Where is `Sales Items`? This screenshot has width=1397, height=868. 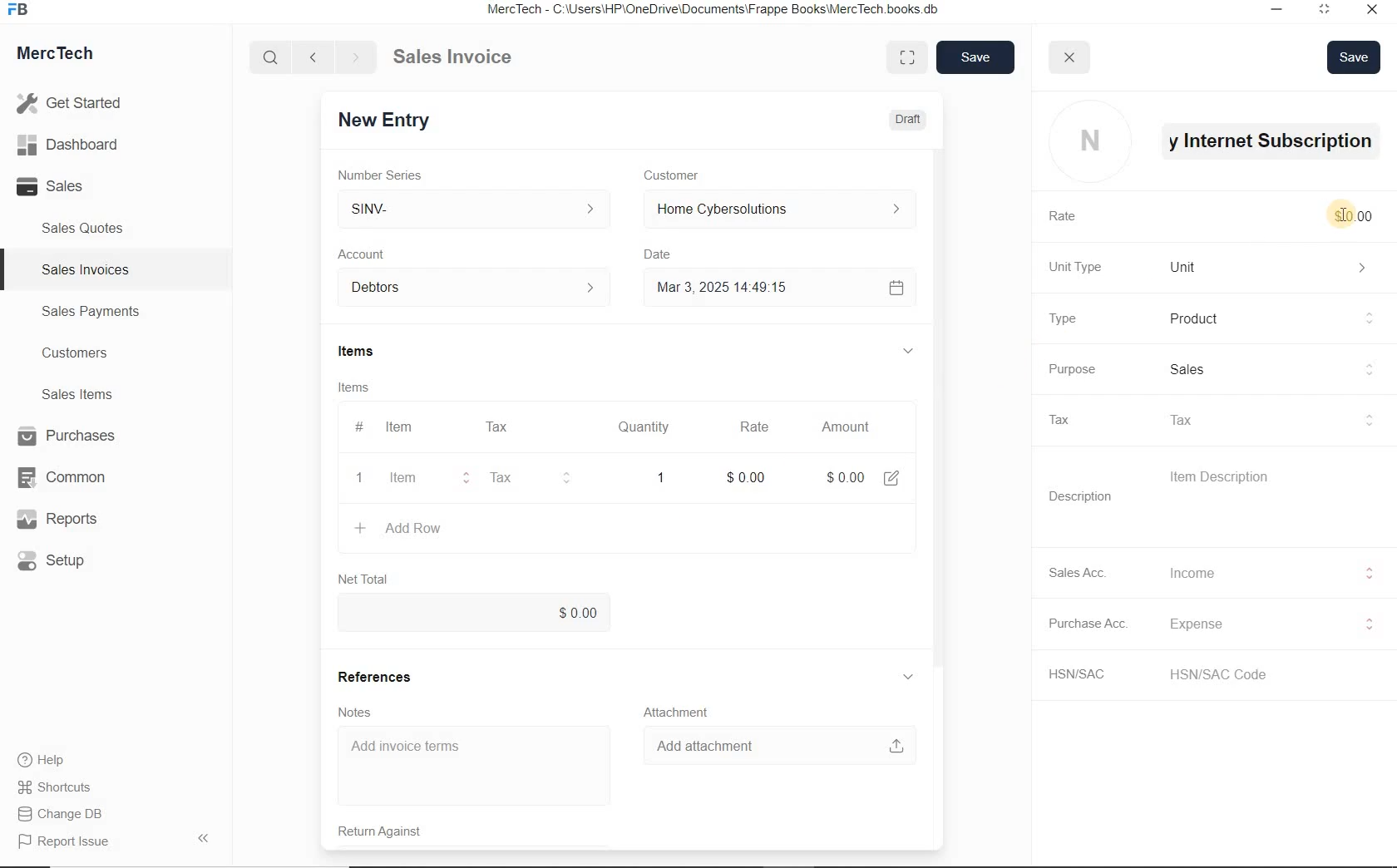 Sales Items is located at coordinates (88, 394).